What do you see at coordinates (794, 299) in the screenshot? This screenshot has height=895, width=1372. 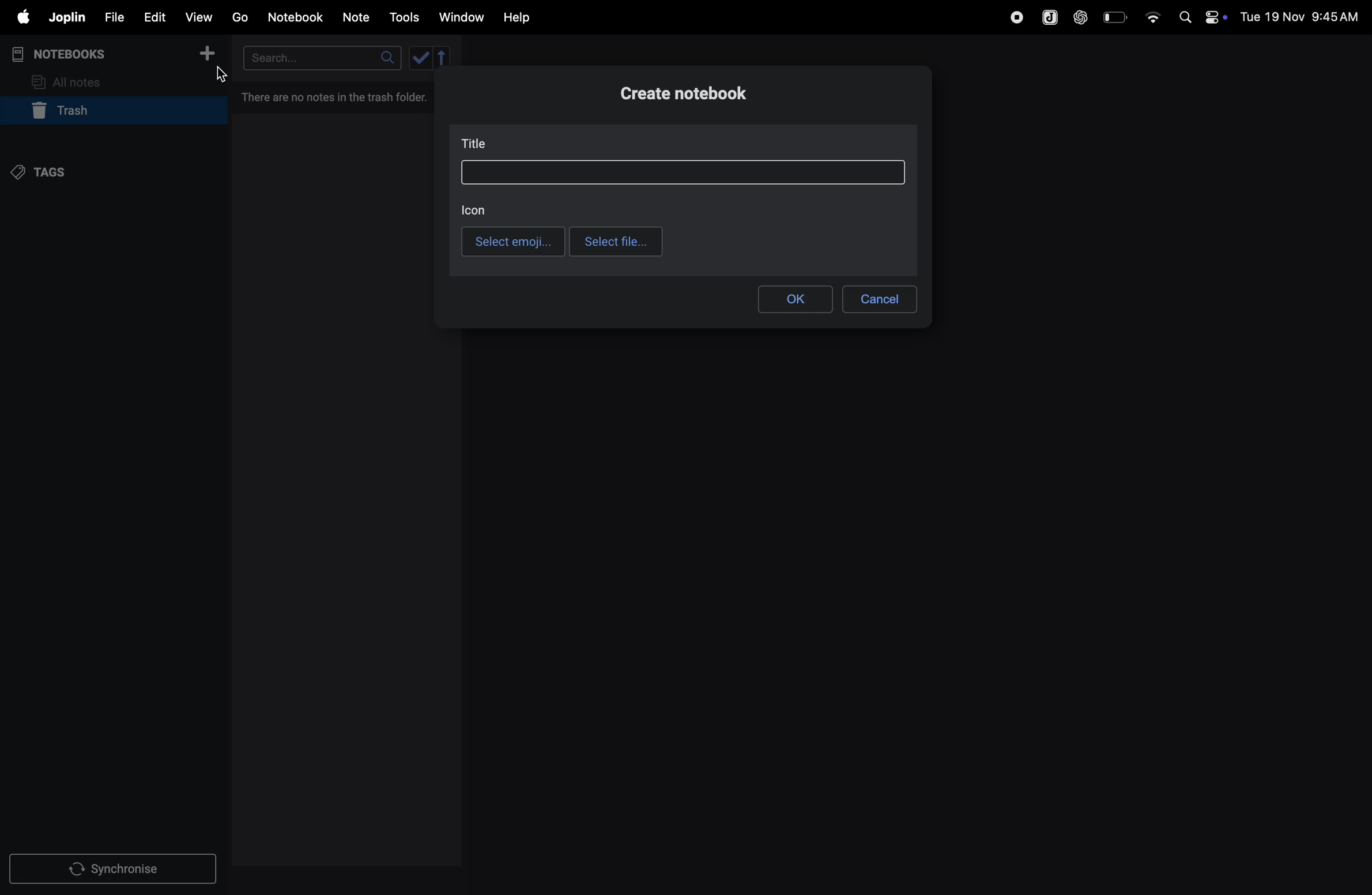 I see `OK` at bounding box center [794, 299].